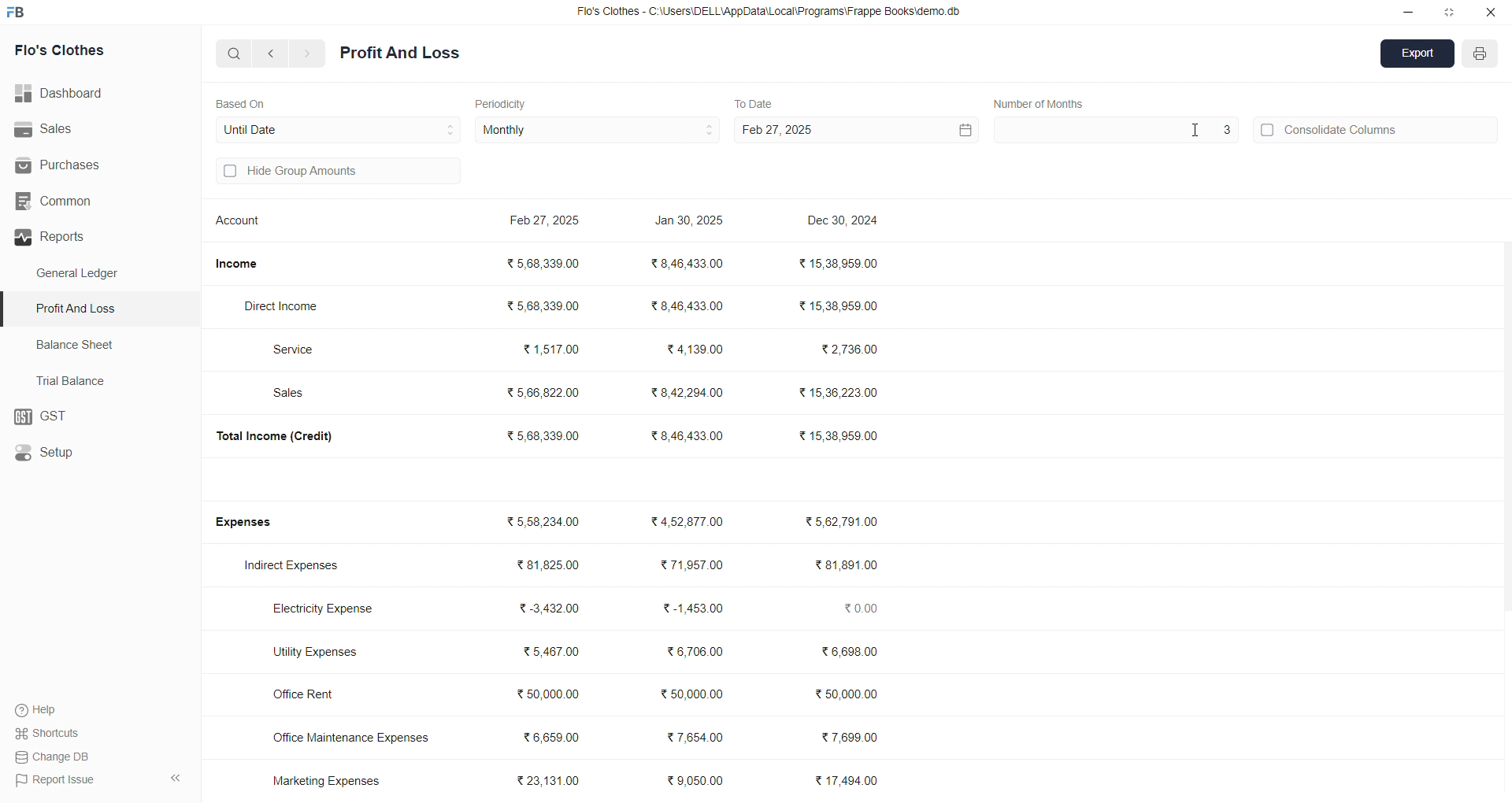 The width and height of the screenshot is (1512, 803). I want to click on ₹8,42,294.00, so click(686, 393).